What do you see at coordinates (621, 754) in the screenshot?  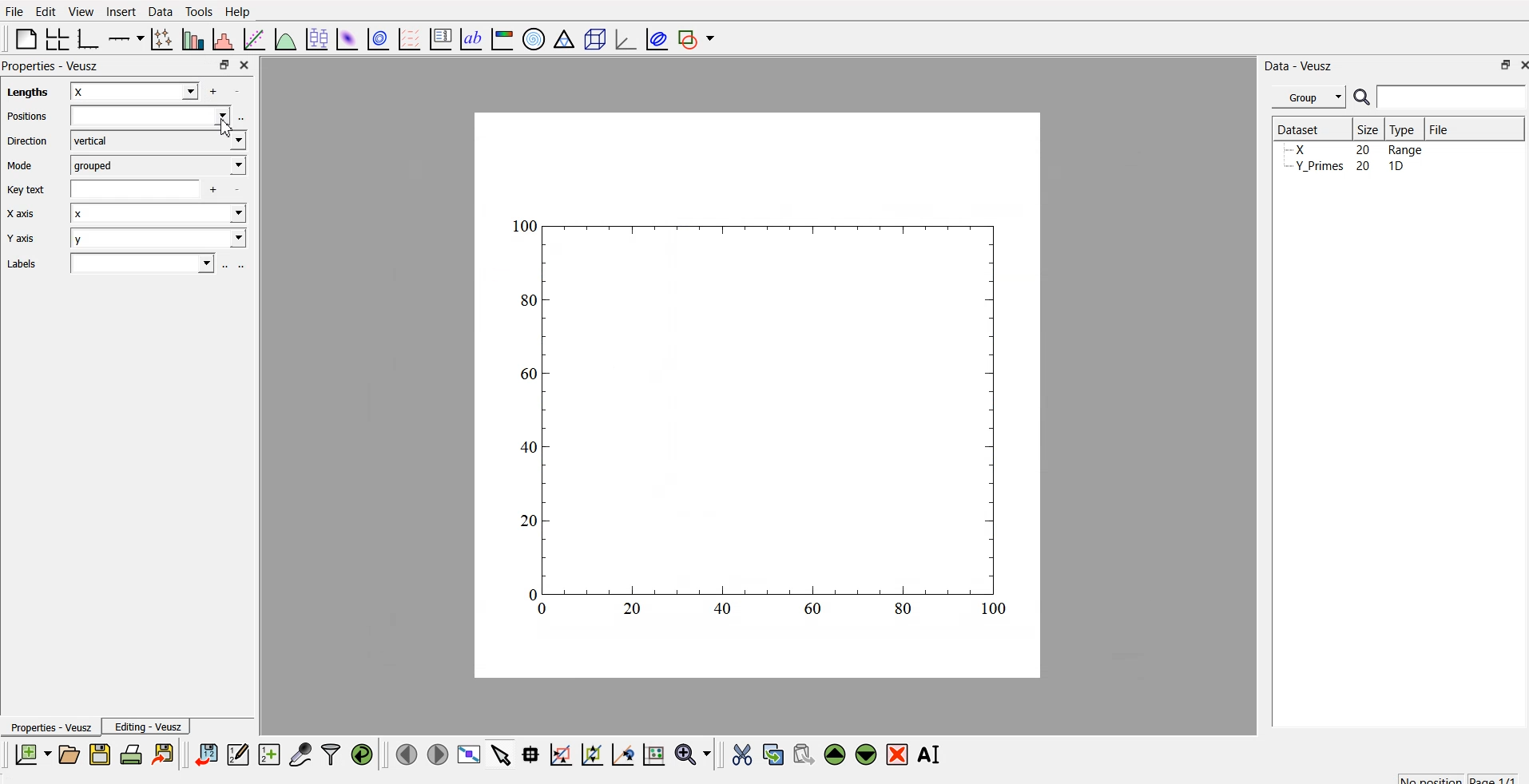 I see `zoom out graph axes` at bounding box center [621, 754].